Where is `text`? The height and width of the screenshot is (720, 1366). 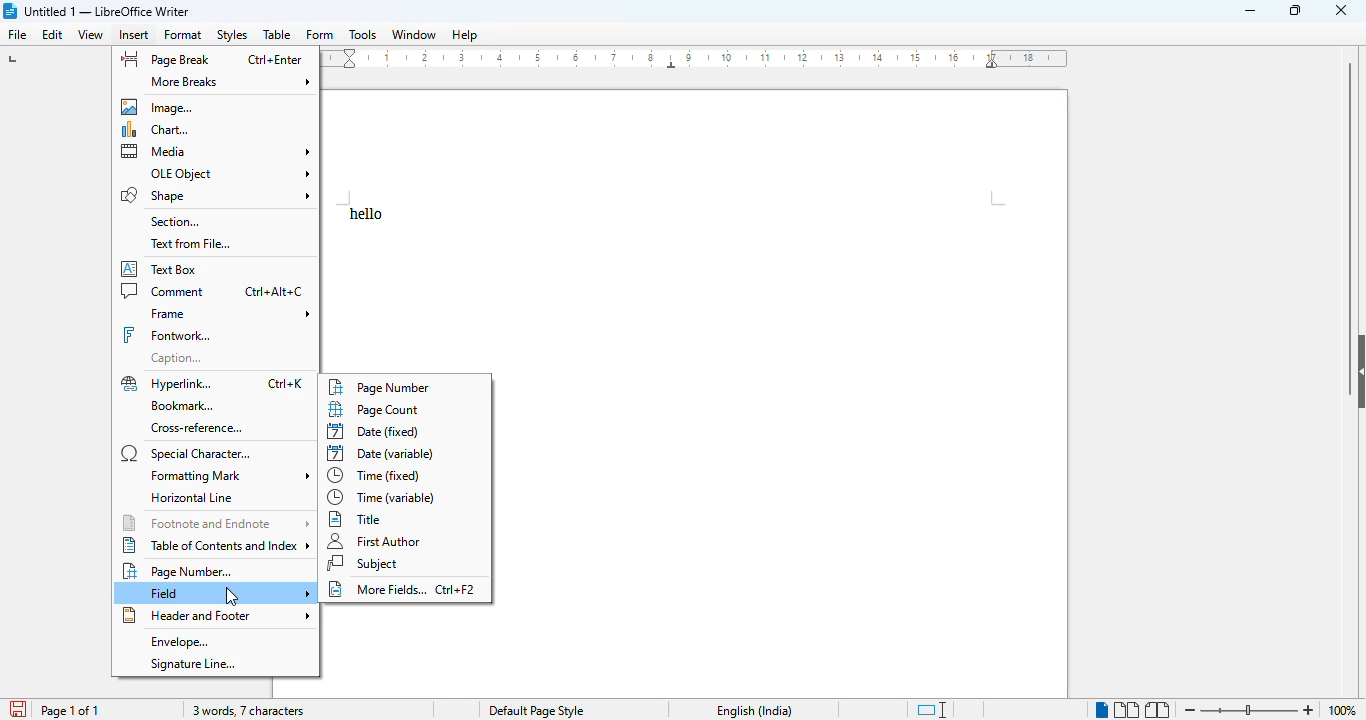
text is located at coordinates (367, 213).